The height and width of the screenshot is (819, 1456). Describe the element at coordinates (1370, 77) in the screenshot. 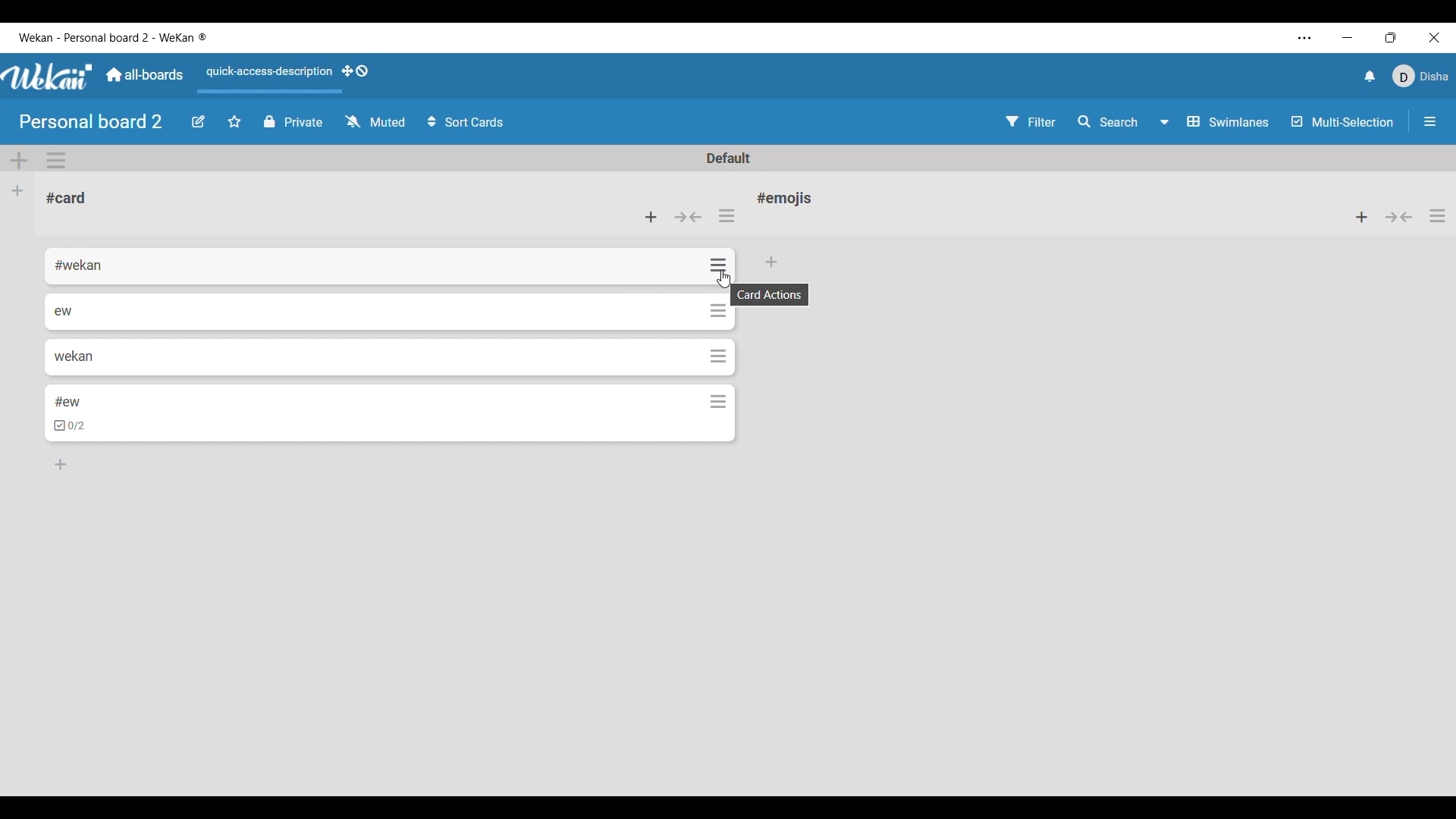

I see `Notifications ` at that location.